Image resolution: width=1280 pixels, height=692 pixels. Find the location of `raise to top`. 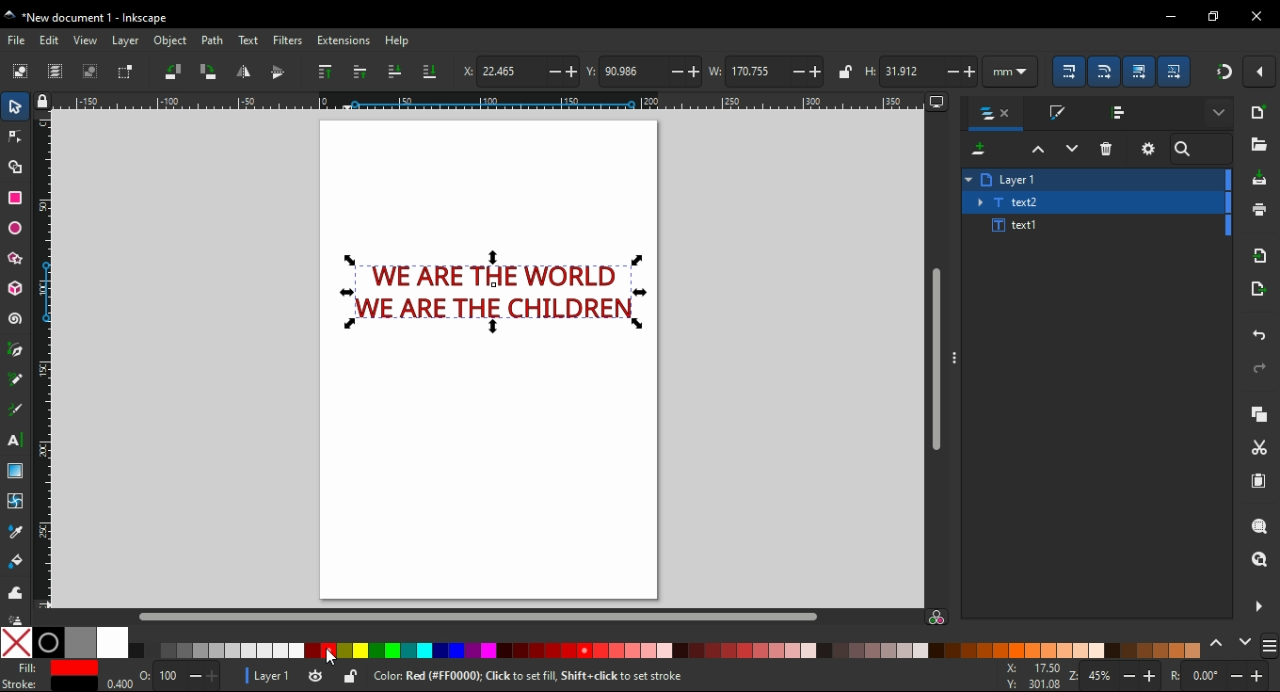

raise to top is located at coordinates (326, 73).